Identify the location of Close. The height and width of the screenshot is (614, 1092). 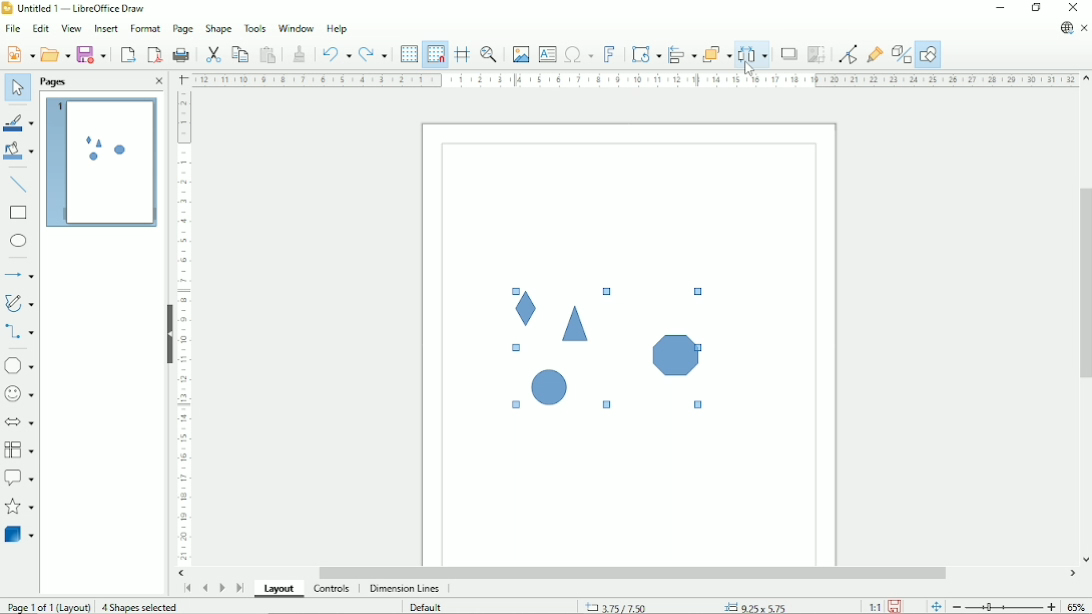
(156, 81).